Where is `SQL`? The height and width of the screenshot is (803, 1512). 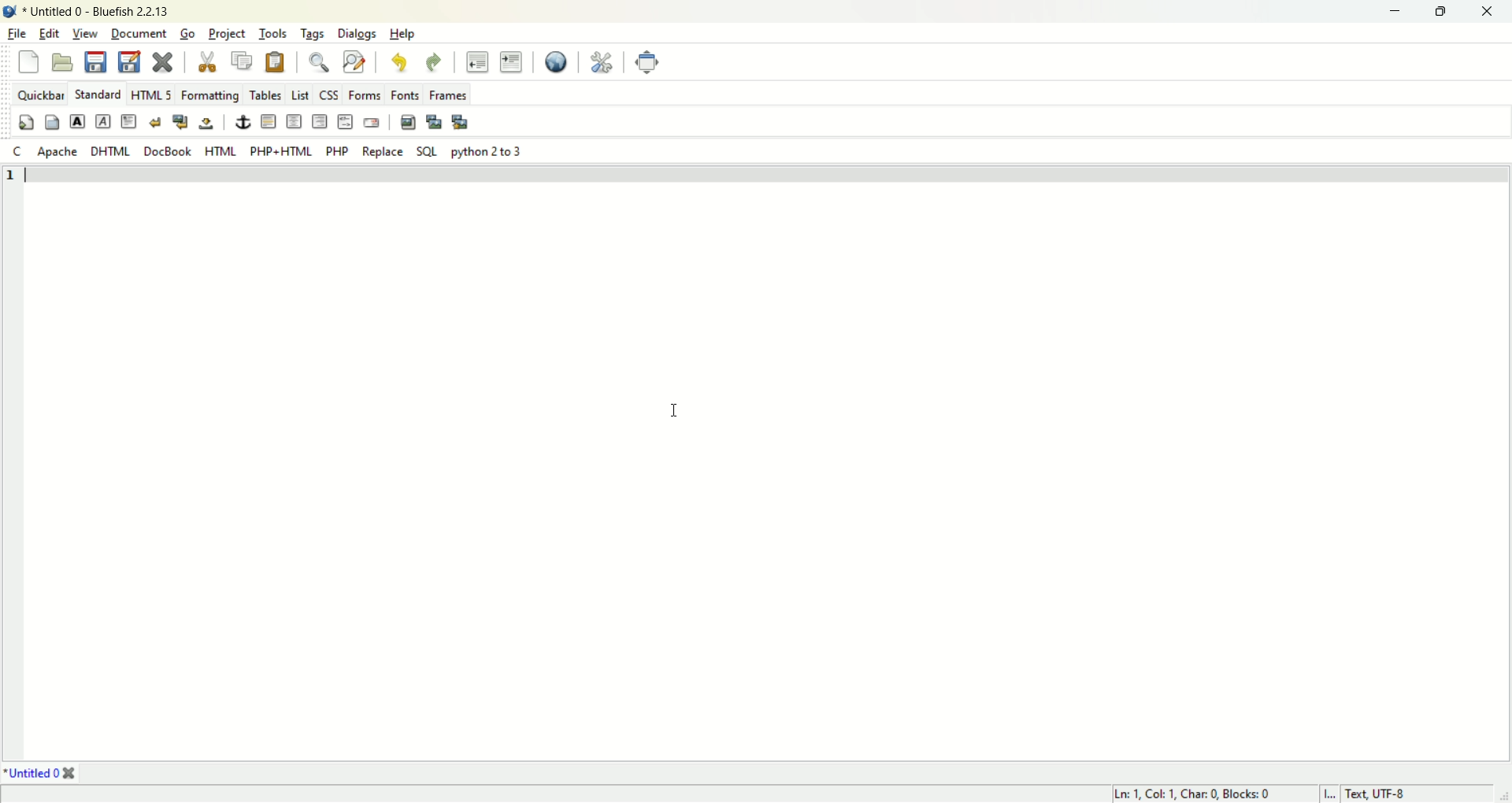 SQL is located at coordinates (427, 151).